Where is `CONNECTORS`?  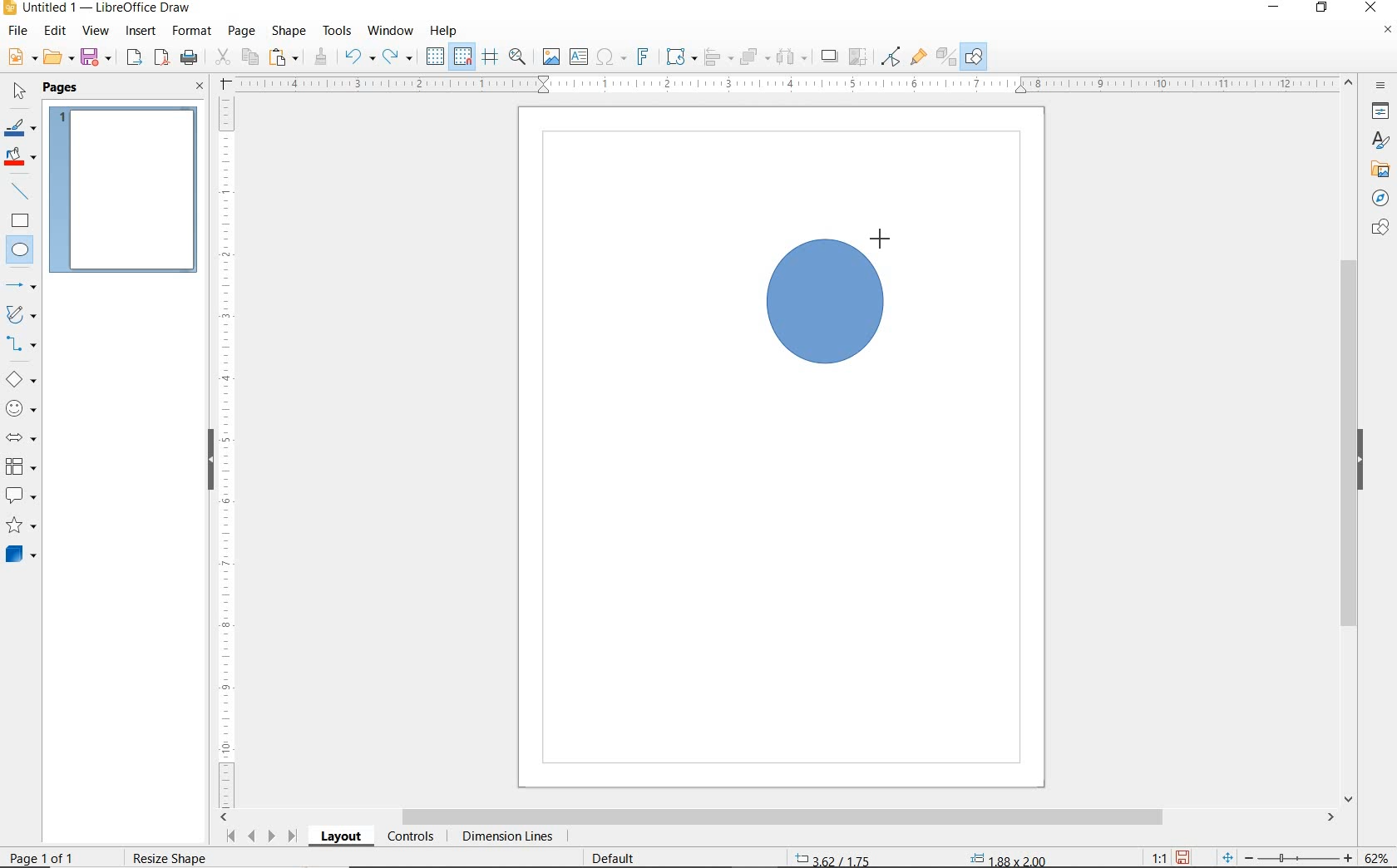
CONNECTORS is located at coordinates (22, 344).